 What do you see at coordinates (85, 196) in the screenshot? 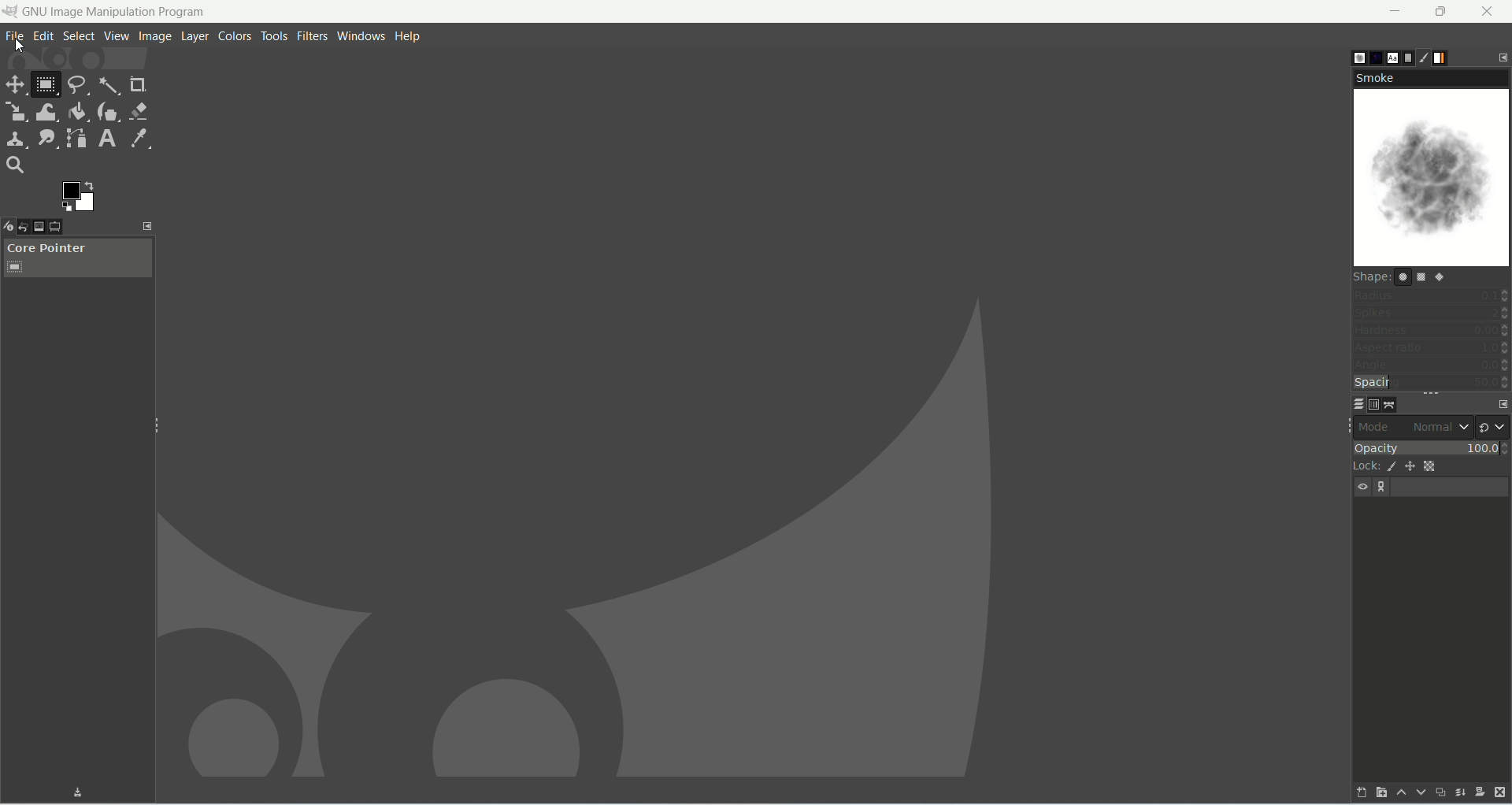
I see `active background color` at bounding box center [85, 196].